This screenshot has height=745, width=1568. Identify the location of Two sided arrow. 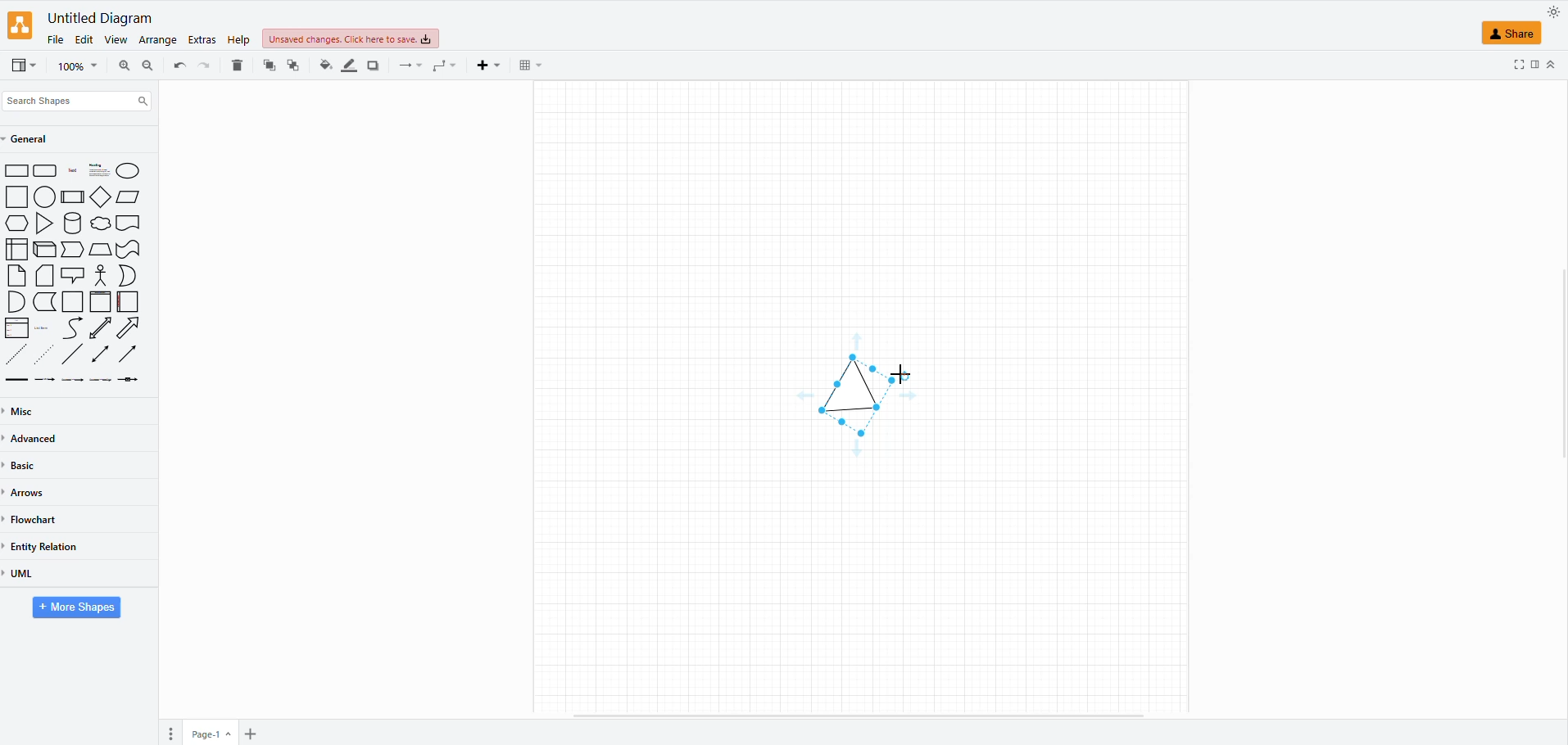
(100, 354).